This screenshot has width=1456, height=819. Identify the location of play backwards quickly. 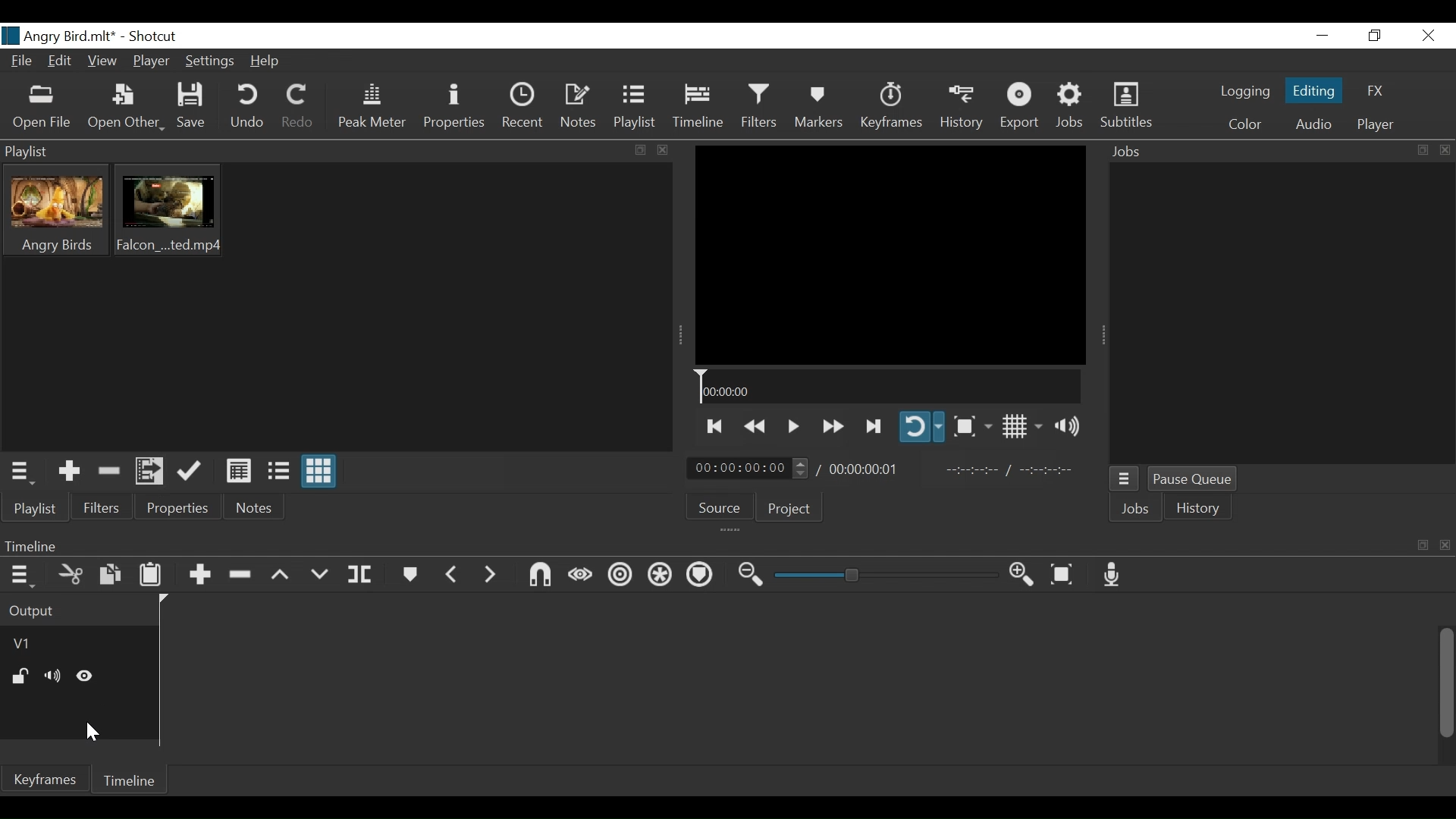
(756, 425).